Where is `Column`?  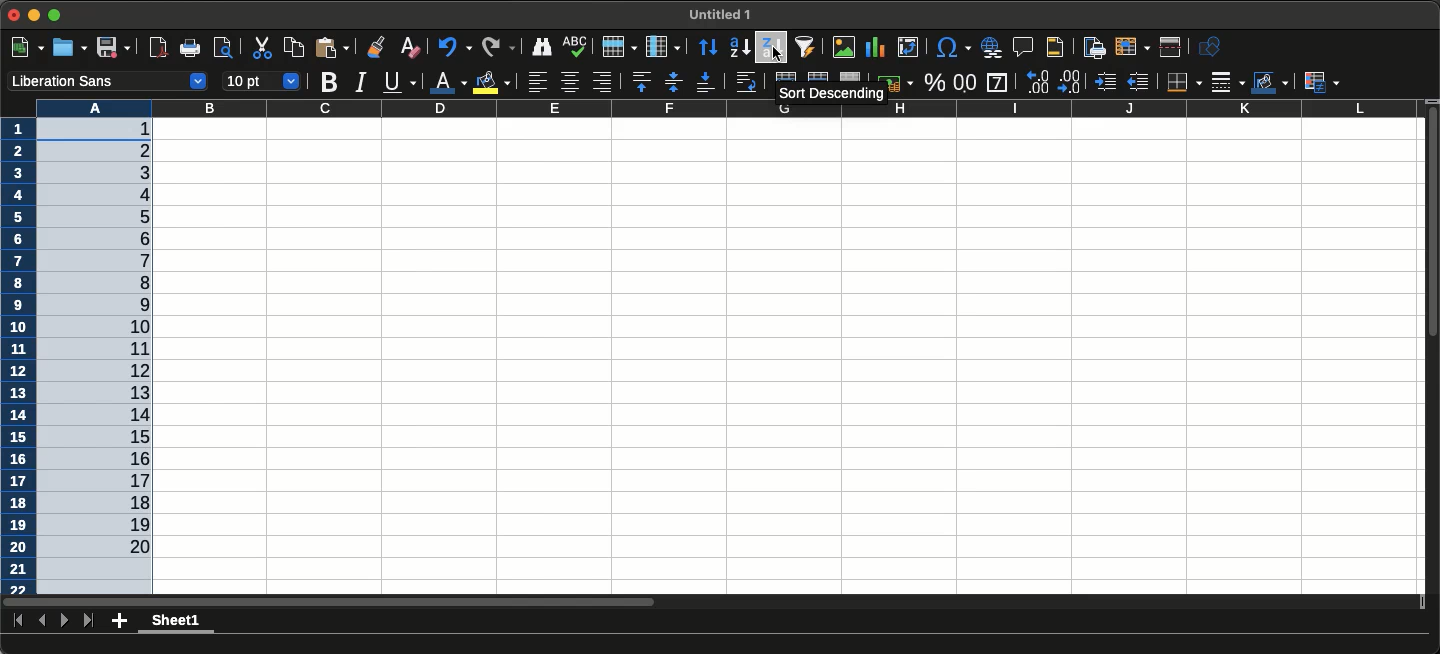
Column is located at coordinates (661, 46).